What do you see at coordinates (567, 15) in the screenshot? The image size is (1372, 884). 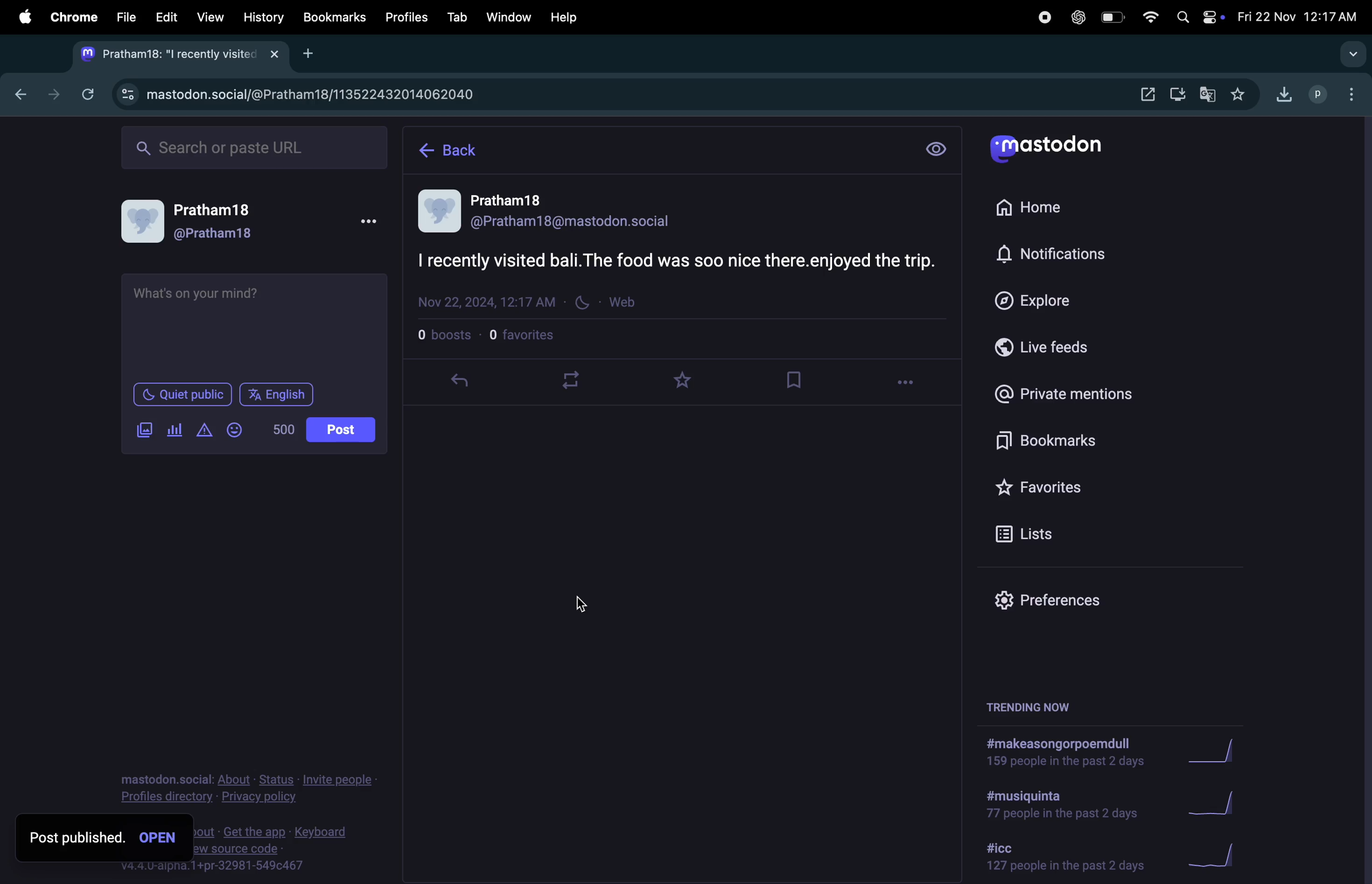 I see `help` at bounding box center [567, 15].